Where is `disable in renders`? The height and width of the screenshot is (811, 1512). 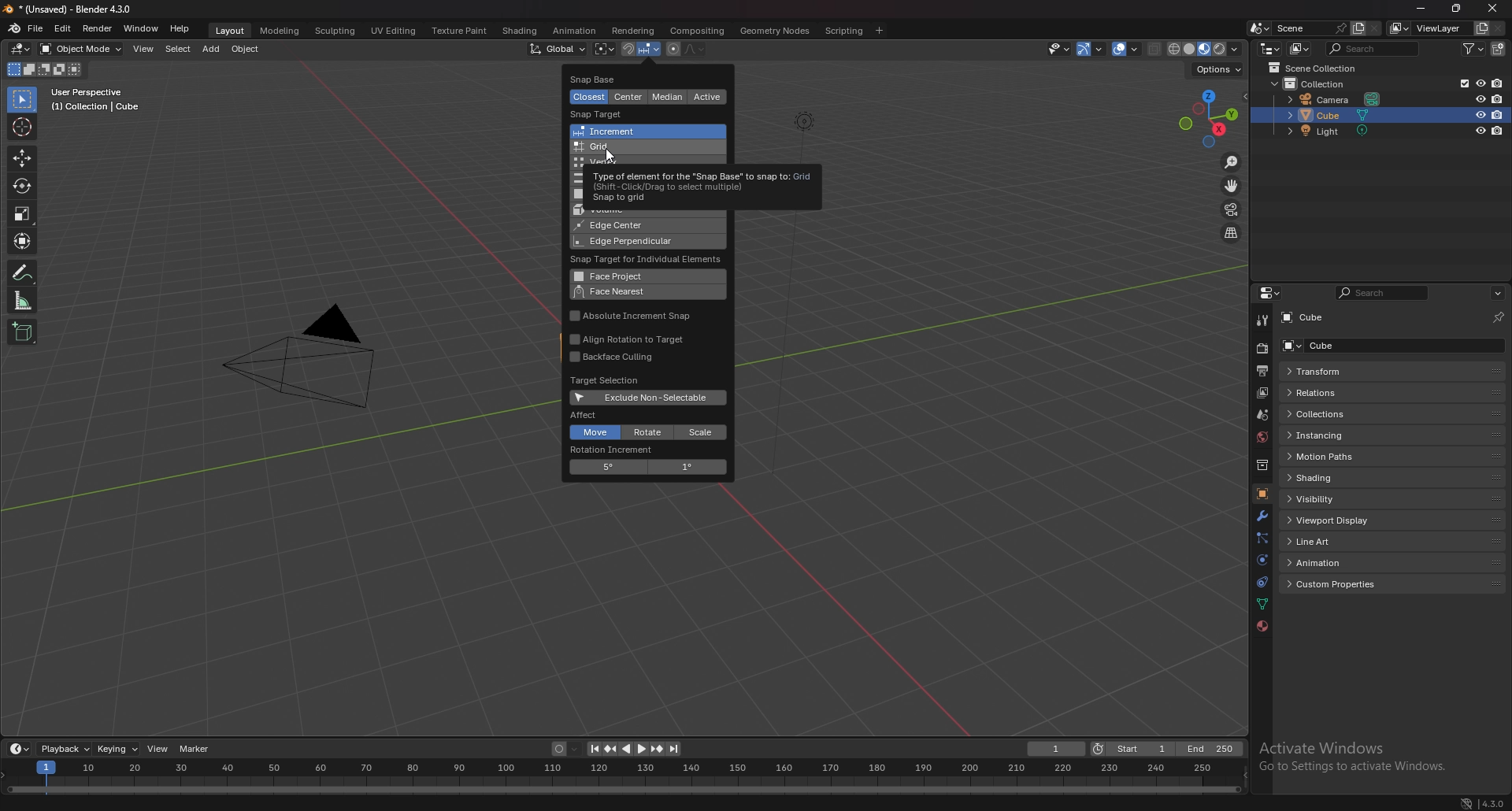
disable in renders is located at coordinates (1499, 114).